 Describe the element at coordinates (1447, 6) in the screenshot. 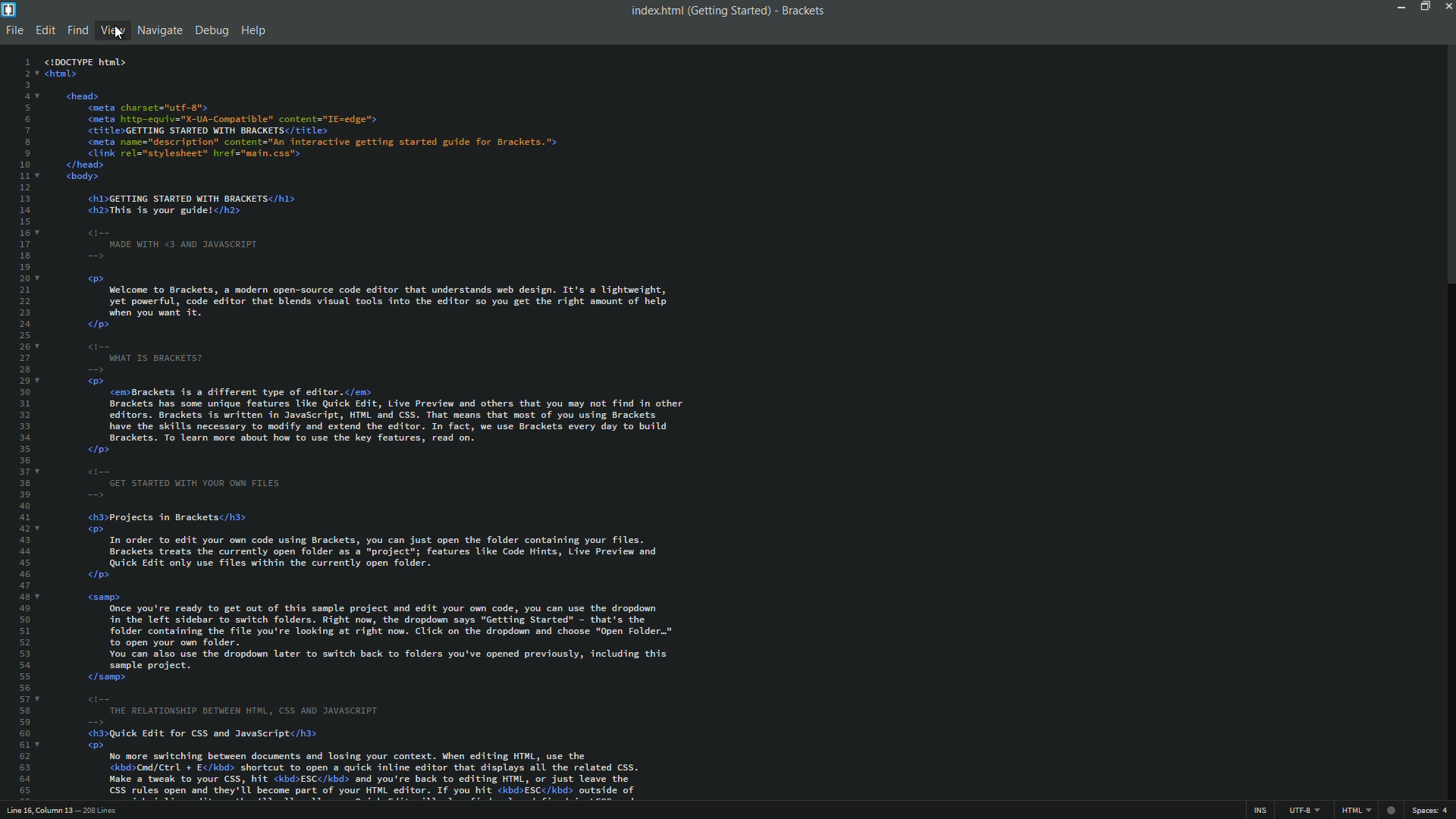

I see `close app` at that location.